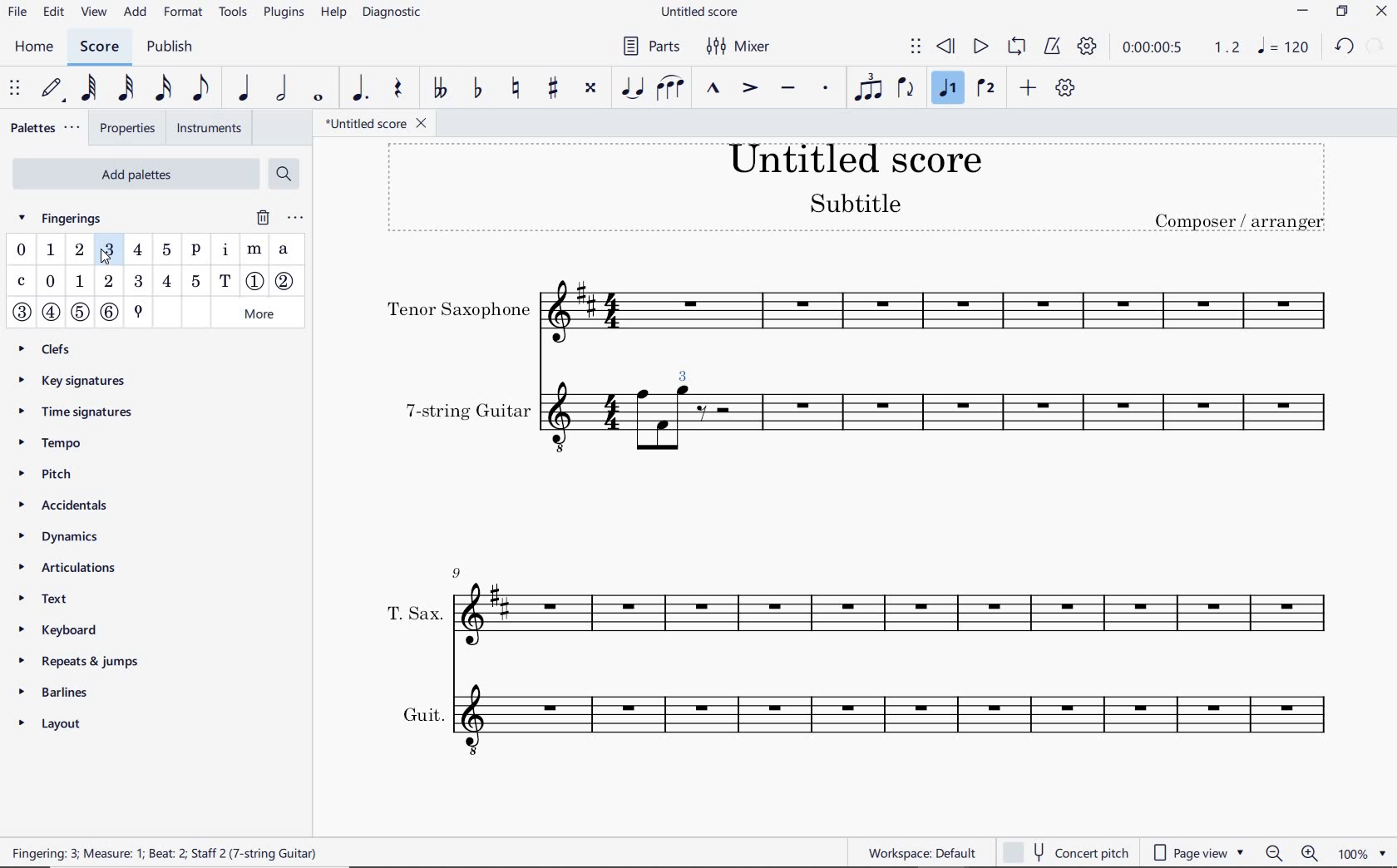 This screenshot has height=868, width=1397. What do you see at coordinates (255, 282) in the screenshot?
I see `String number 1` at bounding box center [255, 282].